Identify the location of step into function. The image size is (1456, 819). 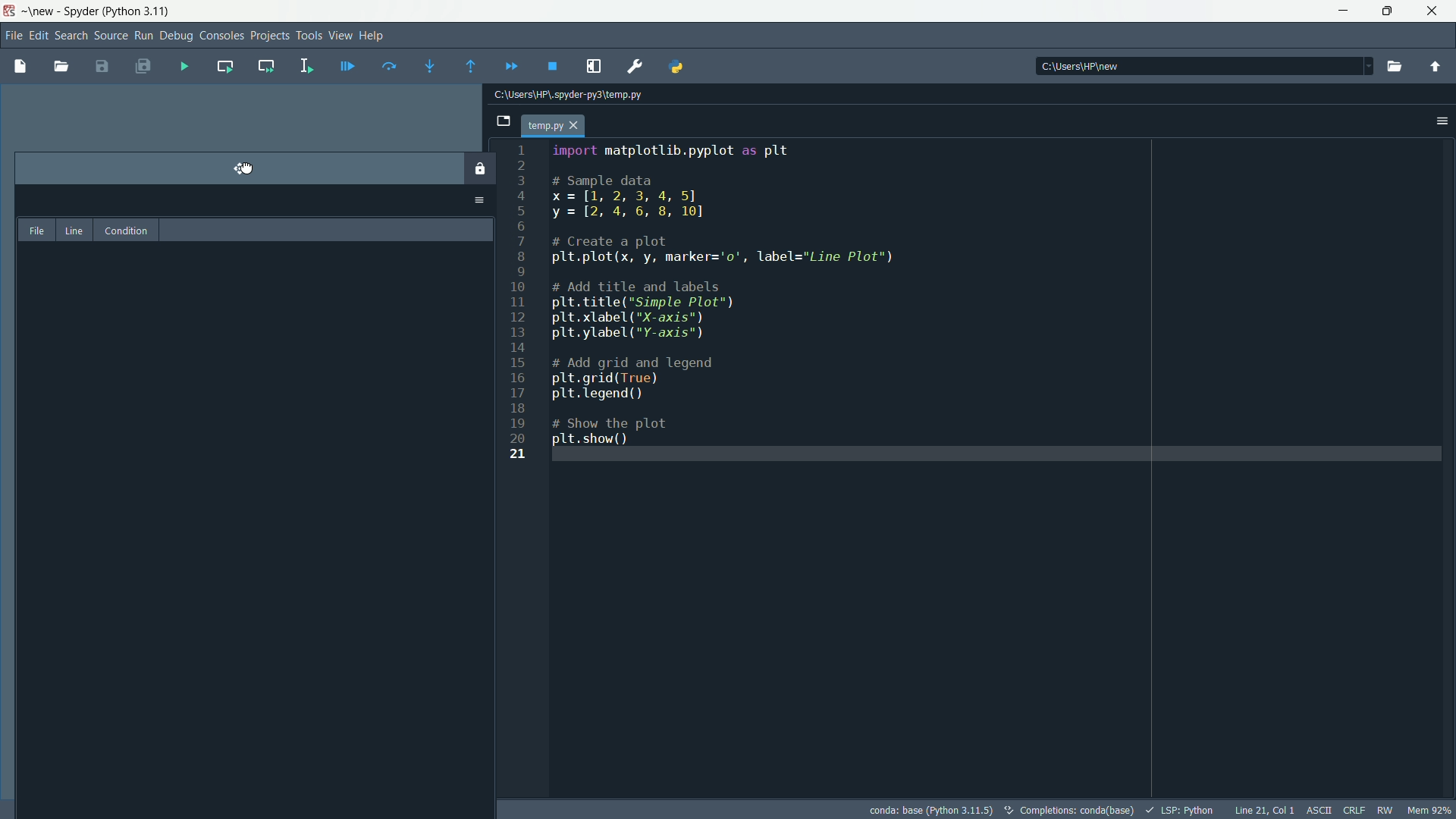
(425, 66).